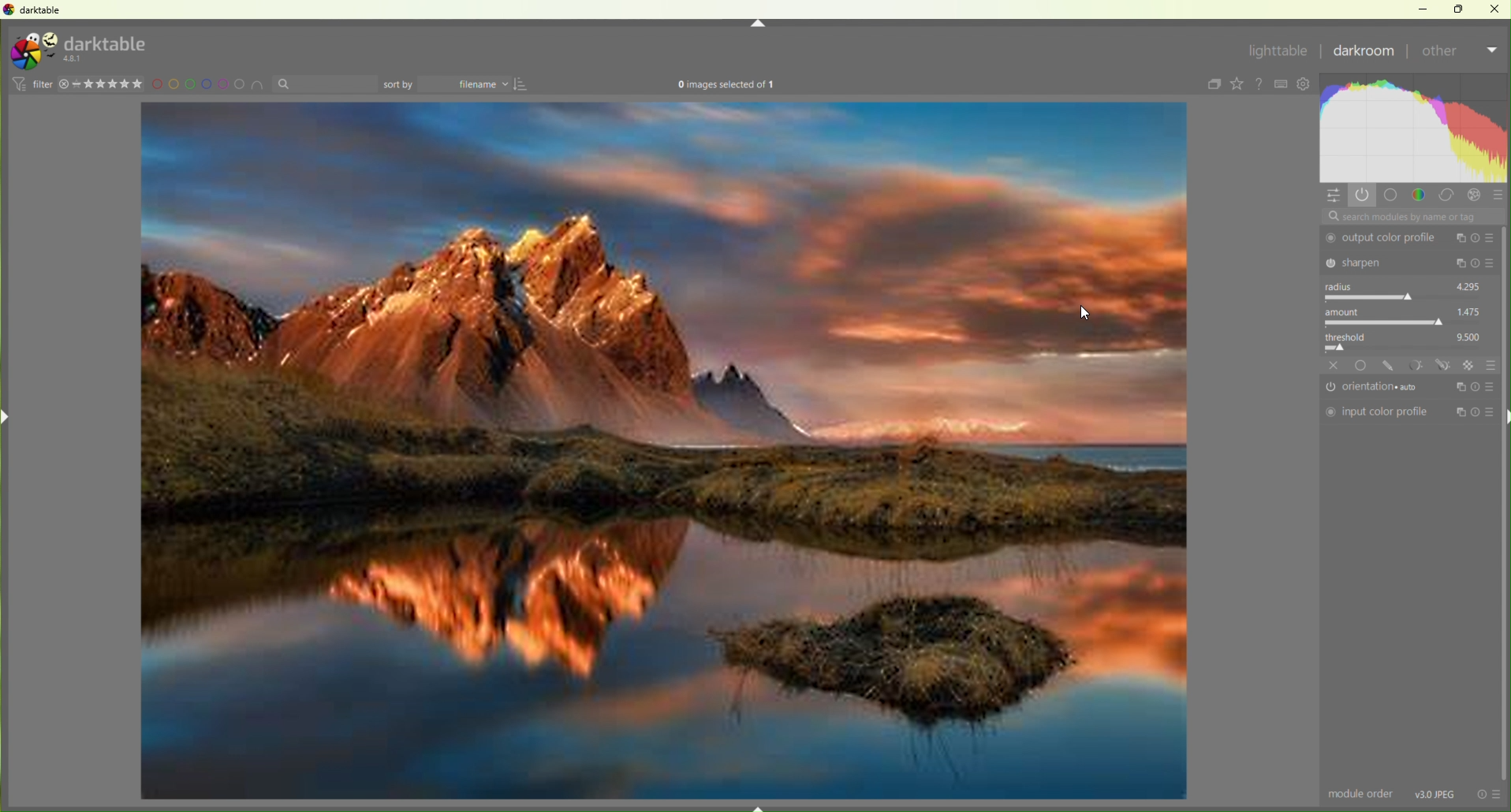 Image resolution: width=1511 pixels, height=812 pixels. Describe the element at coordinates (1384, 238) in the screenshot. I see `Output color profile` at that location.